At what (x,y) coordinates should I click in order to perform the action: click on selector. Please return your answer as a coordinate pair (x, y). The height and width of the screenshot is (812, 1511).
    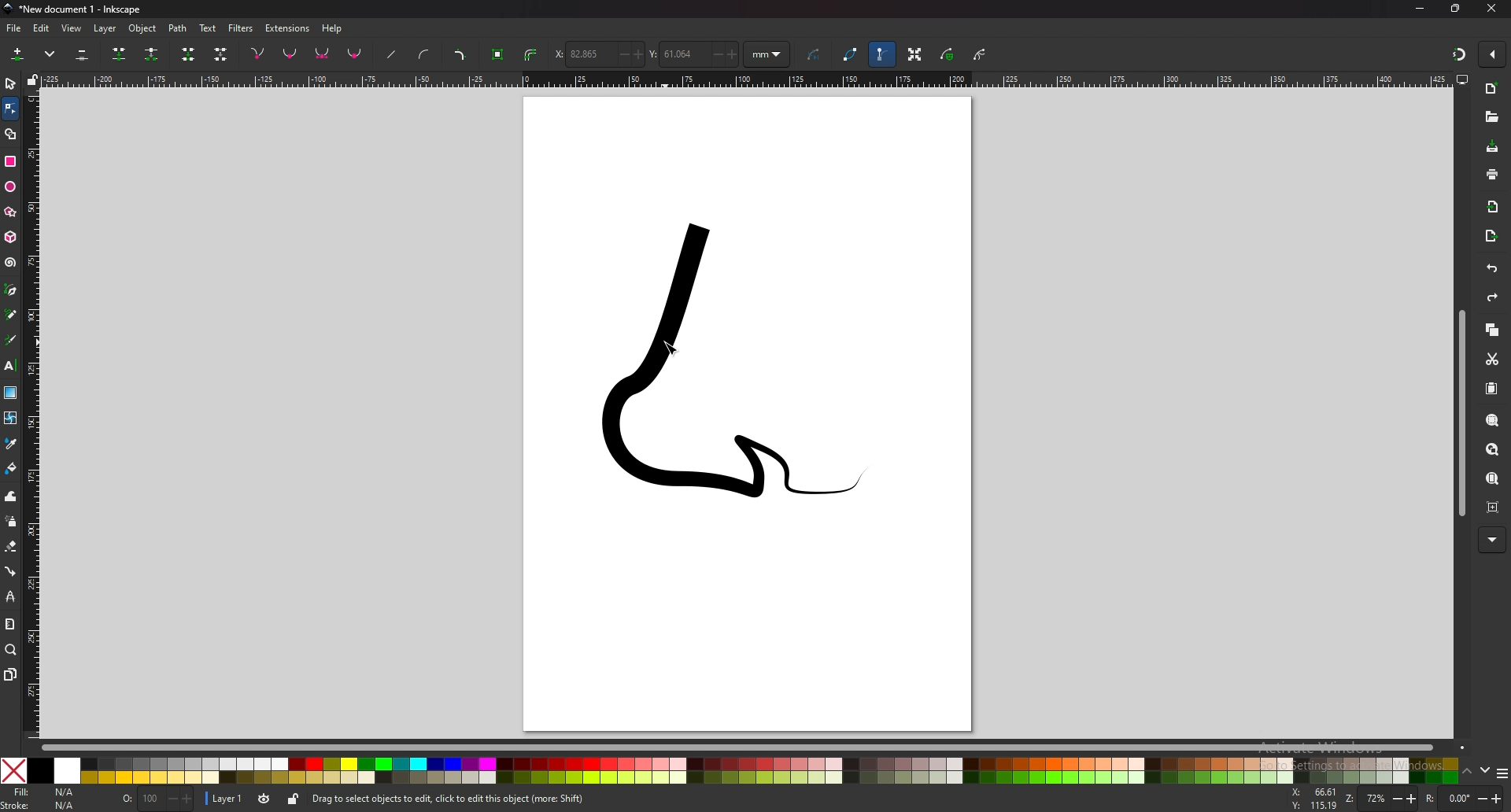
    Looking at the image, I should click on (11, 83).